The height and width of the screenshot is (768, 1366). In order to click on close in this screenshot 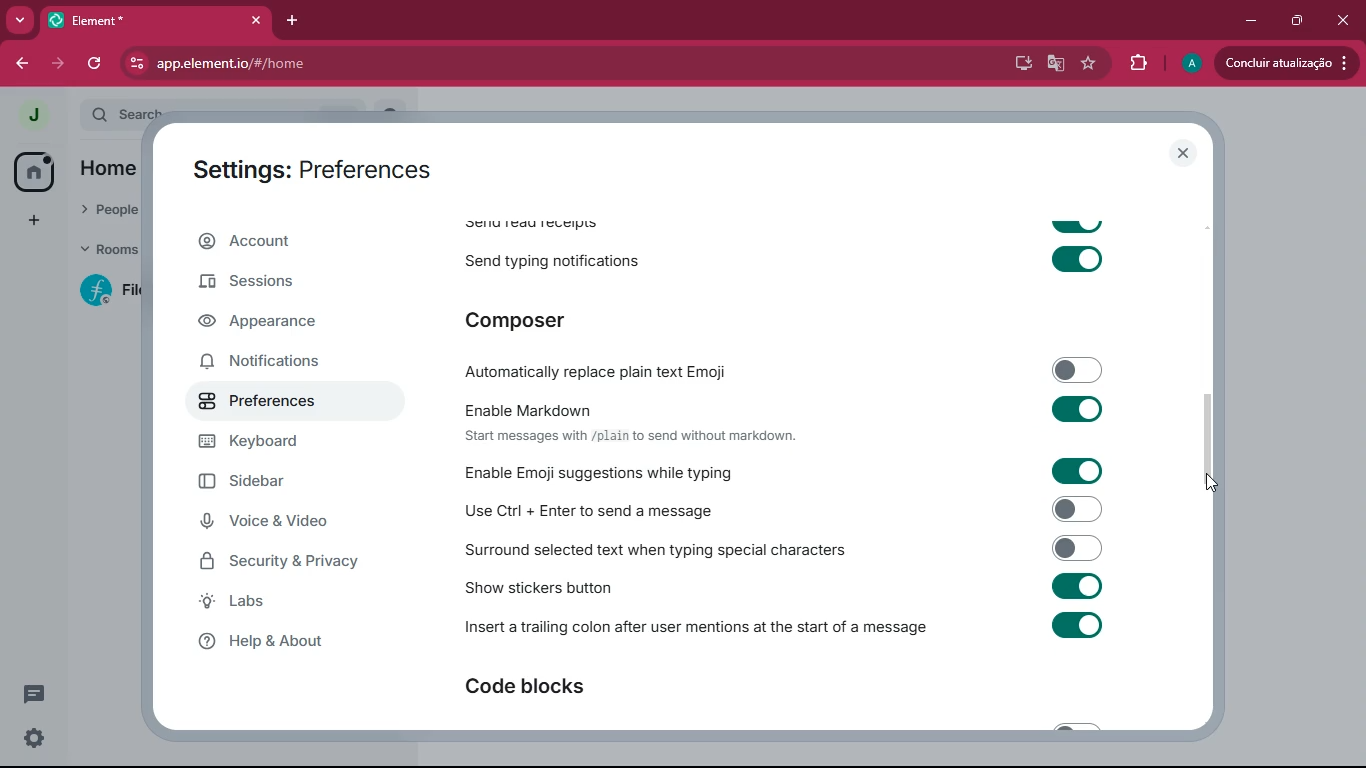, I will do `click(1185, 153)`.